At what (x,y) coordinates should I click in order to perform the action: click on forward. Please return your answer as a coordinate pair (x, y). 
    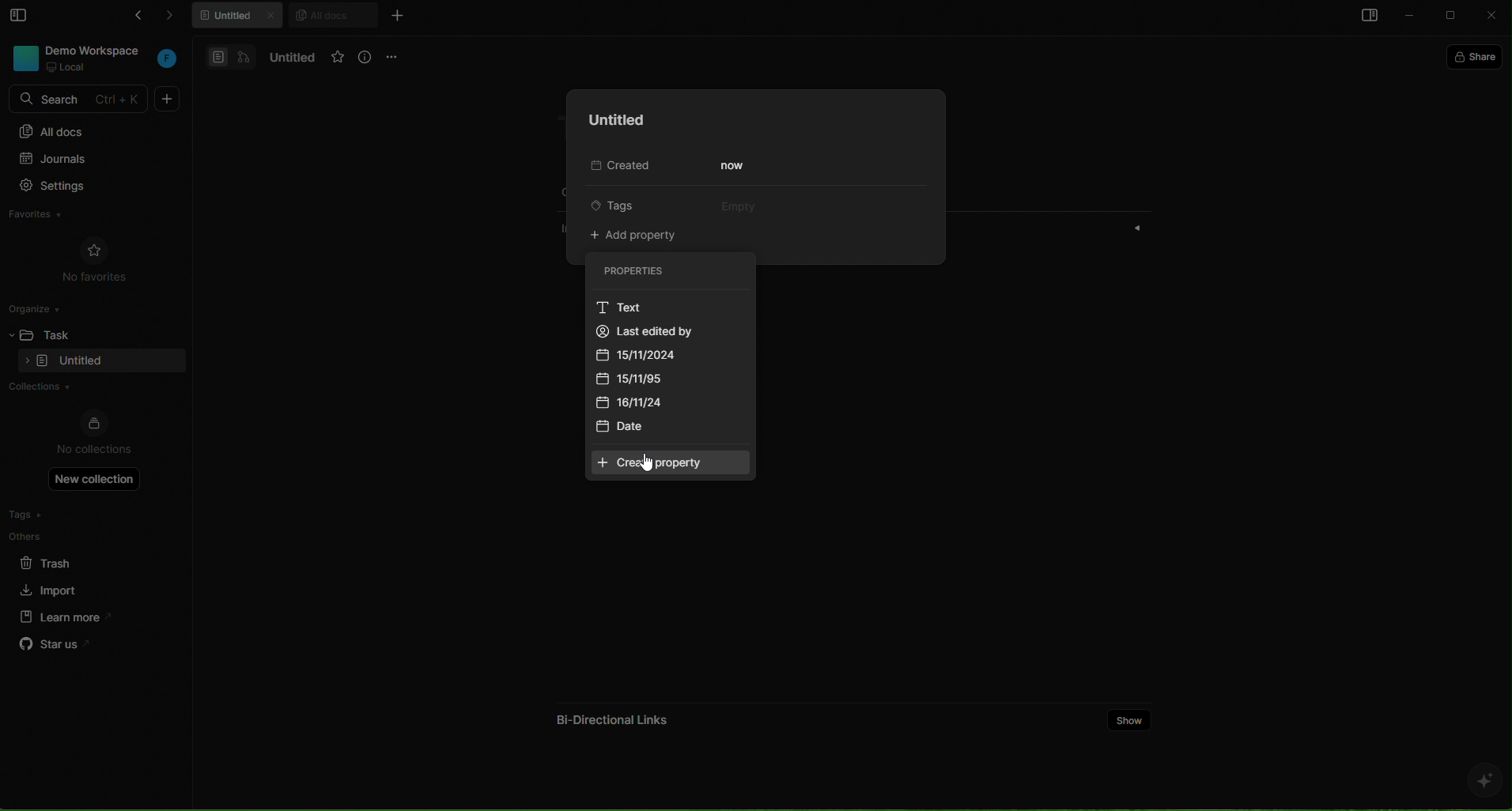
    Looking at the image, I should click on (177, 18).